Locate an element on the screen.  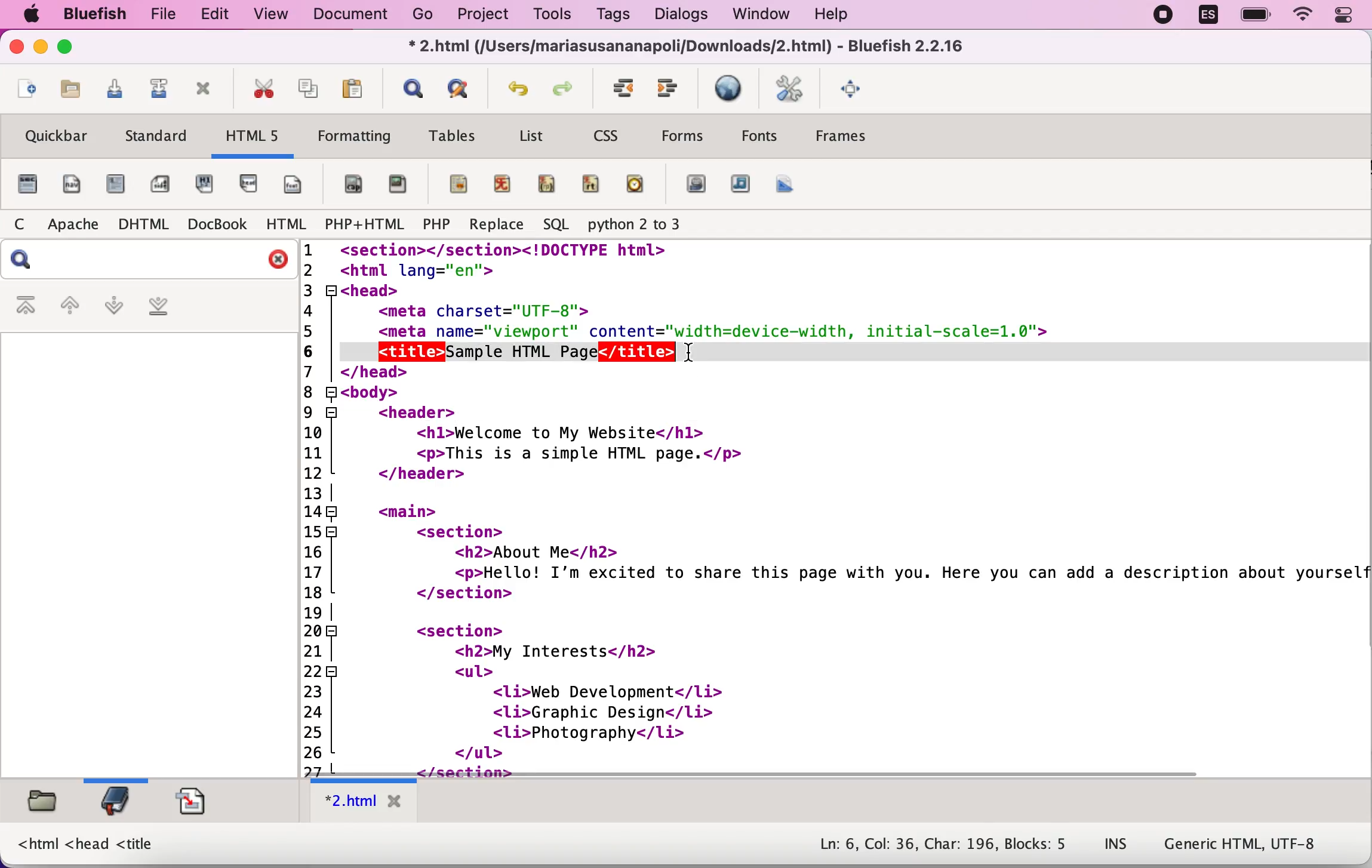
tools is located at coordinates (556, 14).